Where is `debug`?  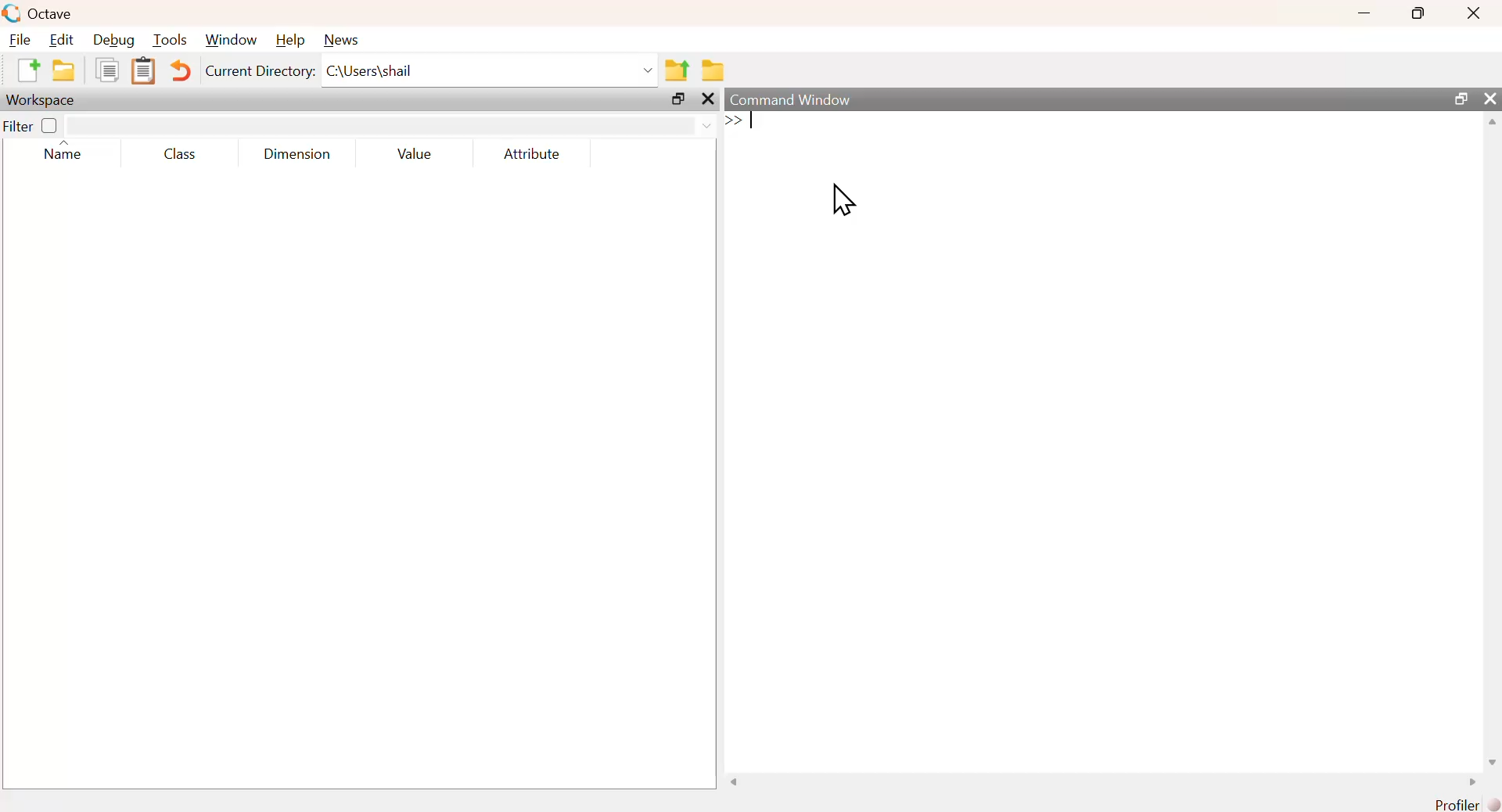 debug is located at coordinates (113, 41).